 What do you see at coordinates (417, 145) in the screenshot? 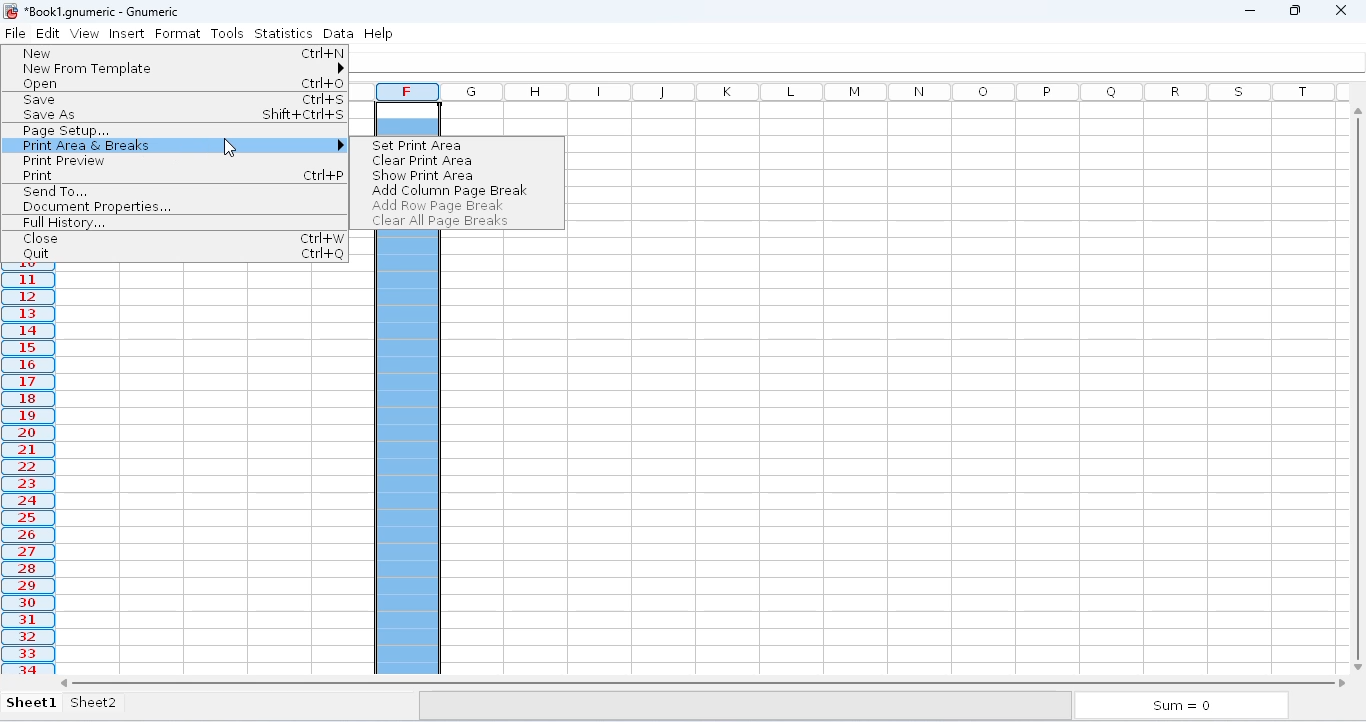
I see `set print area` at bounding box center [417, 145].